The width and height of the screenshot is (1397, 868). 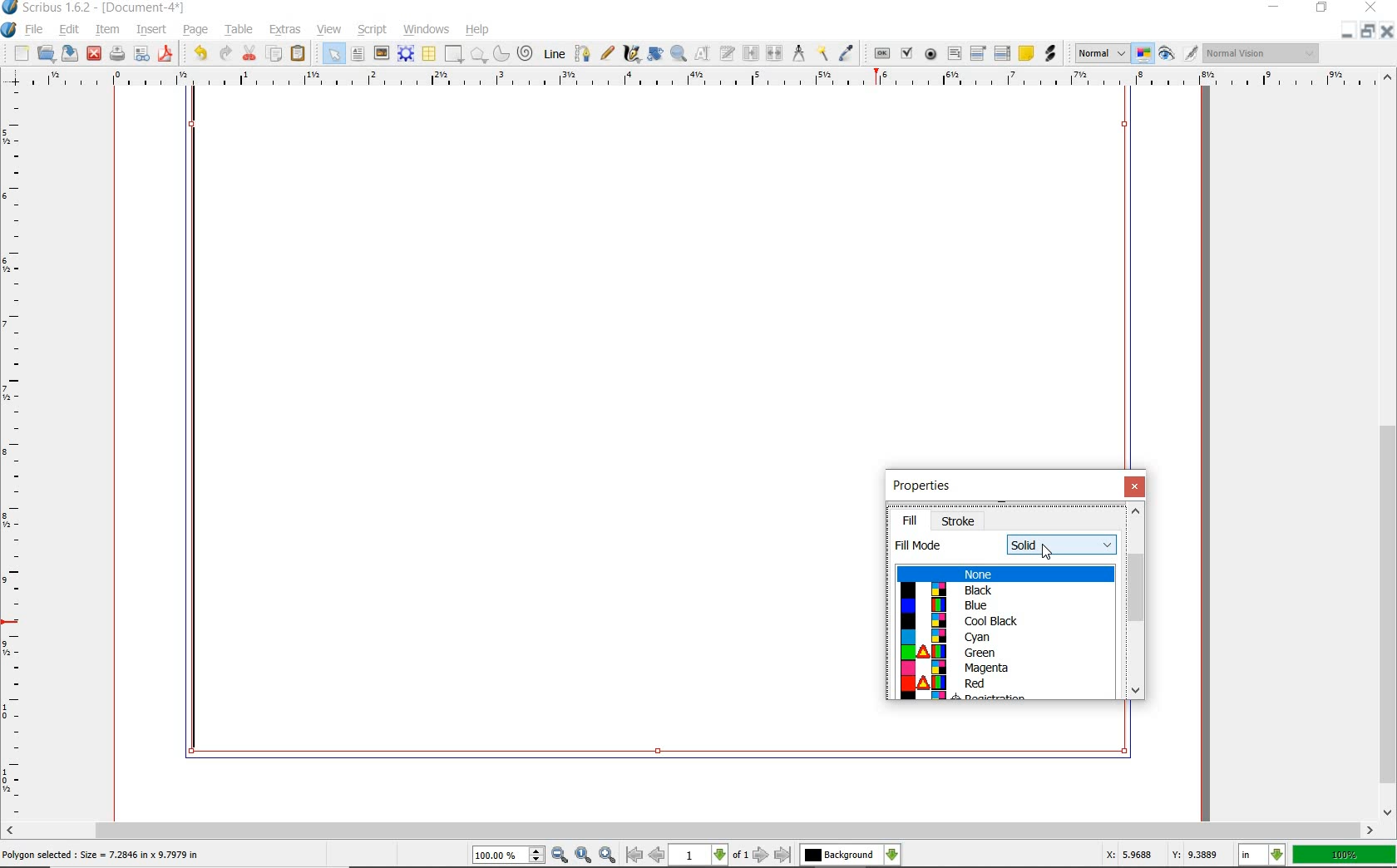 What do you see at coordinates (1135, 487) in the screenshot?
I see `close` at bounding box center [1135, 487].